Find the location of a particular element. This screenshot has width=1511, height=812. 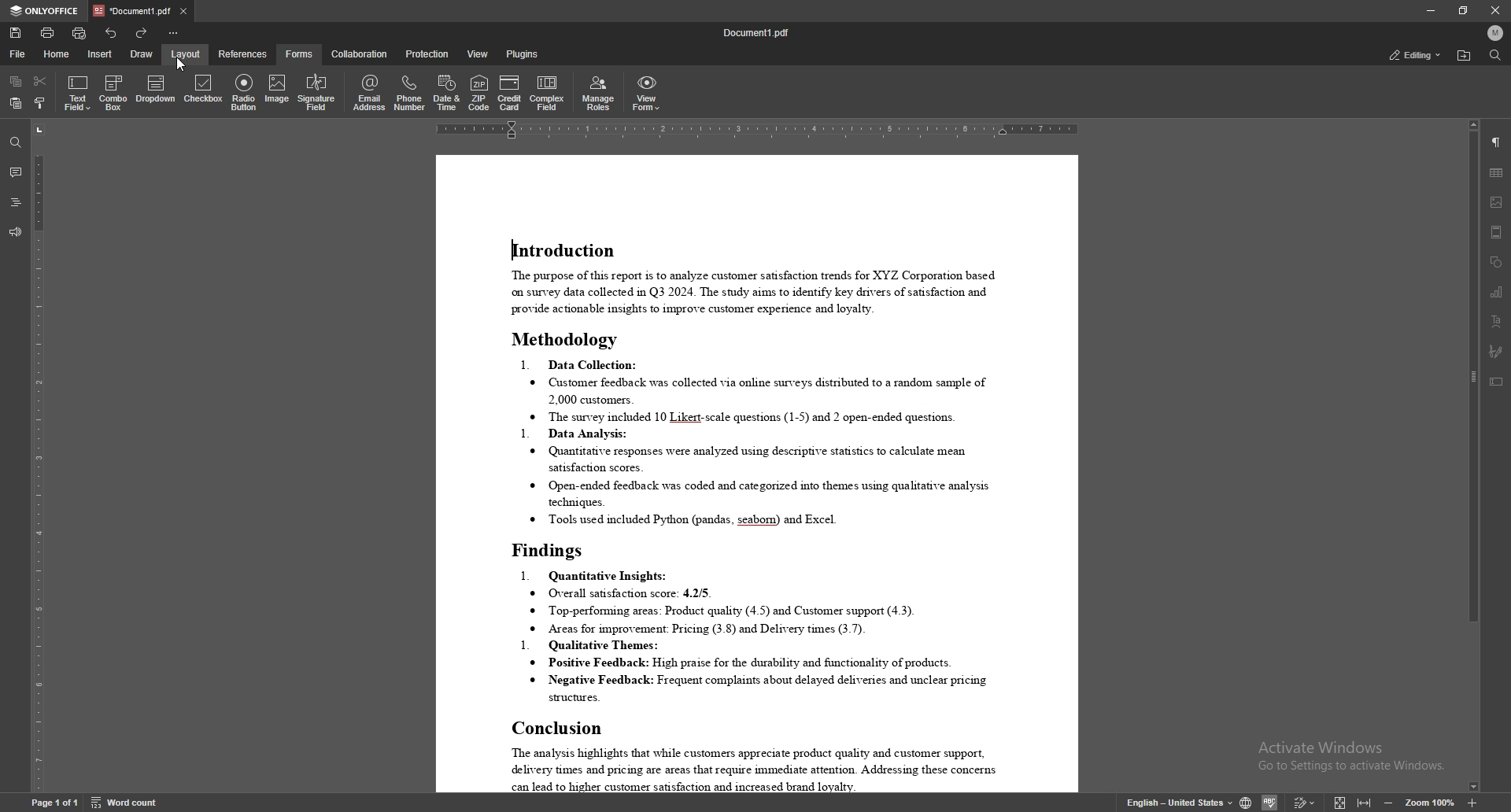

credit card is located at coordinates (510, 93).